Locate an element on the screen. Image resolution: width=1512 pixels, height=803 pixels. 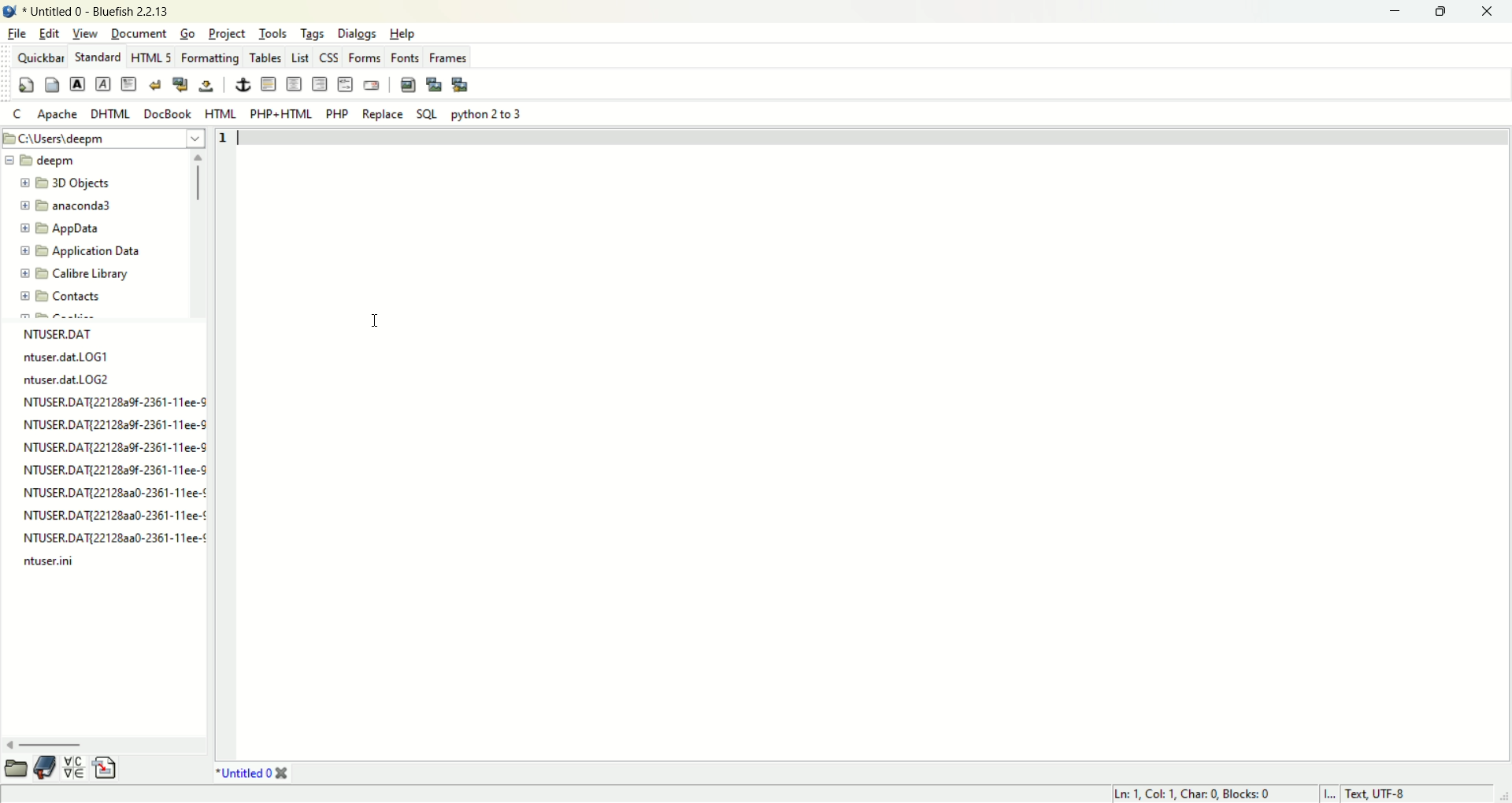
3D objects is located at coordinates (71, 183).